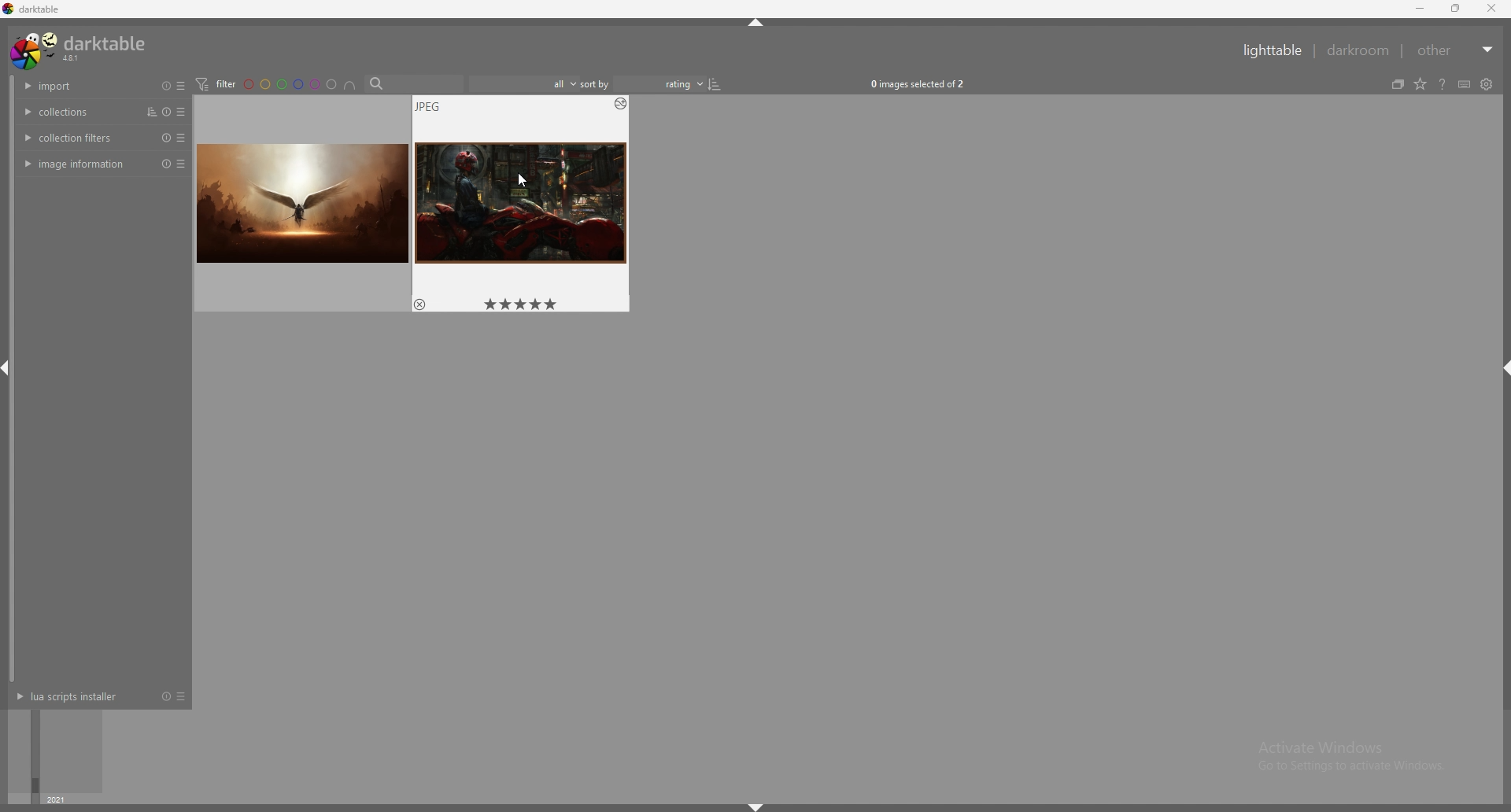 This screenshot has width=1511, height=812. I want to click on time selector, so click(54, 751).